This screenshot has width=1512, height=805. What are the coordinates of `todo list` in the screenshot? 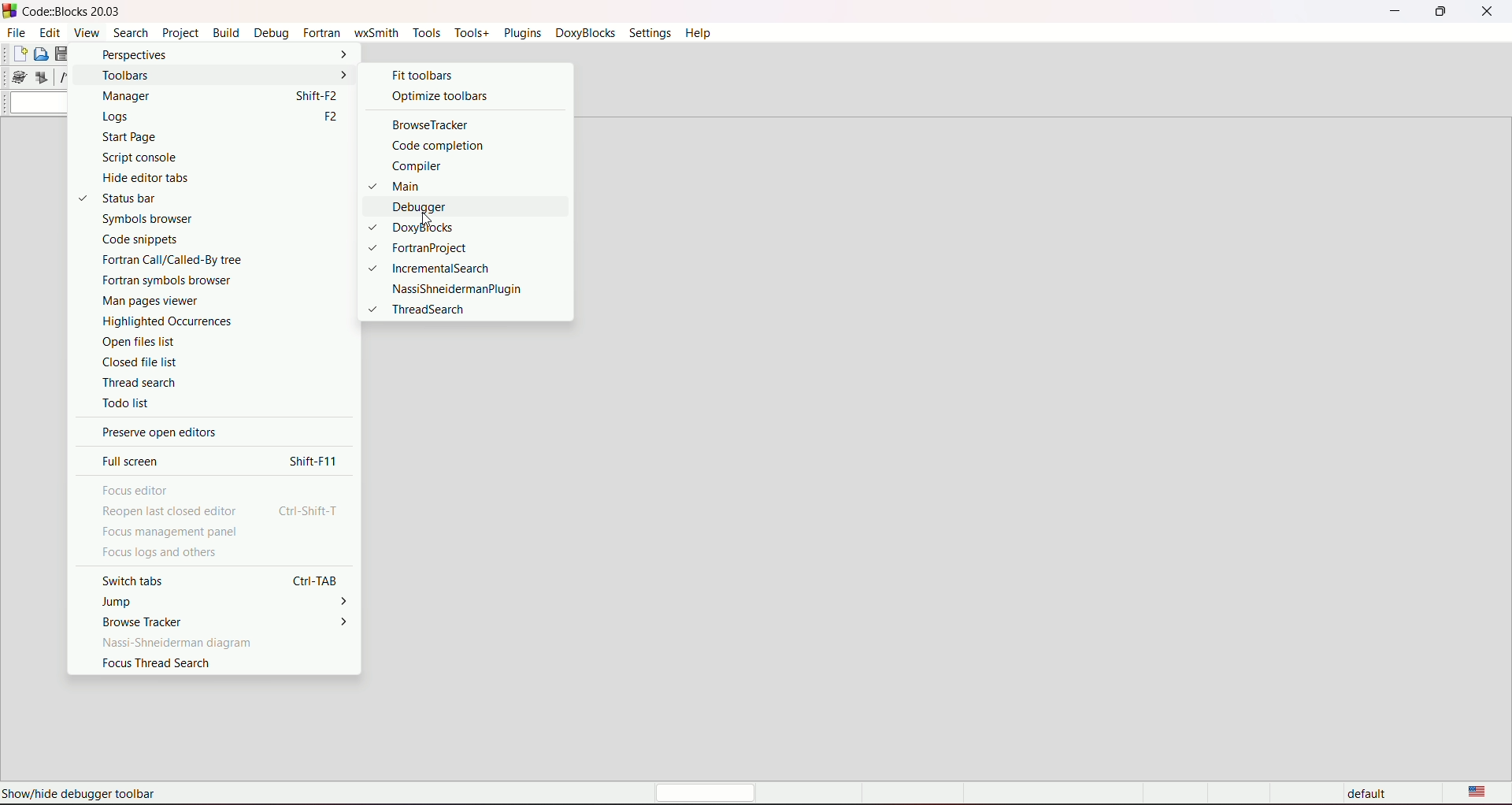 It's located at (209, 402).